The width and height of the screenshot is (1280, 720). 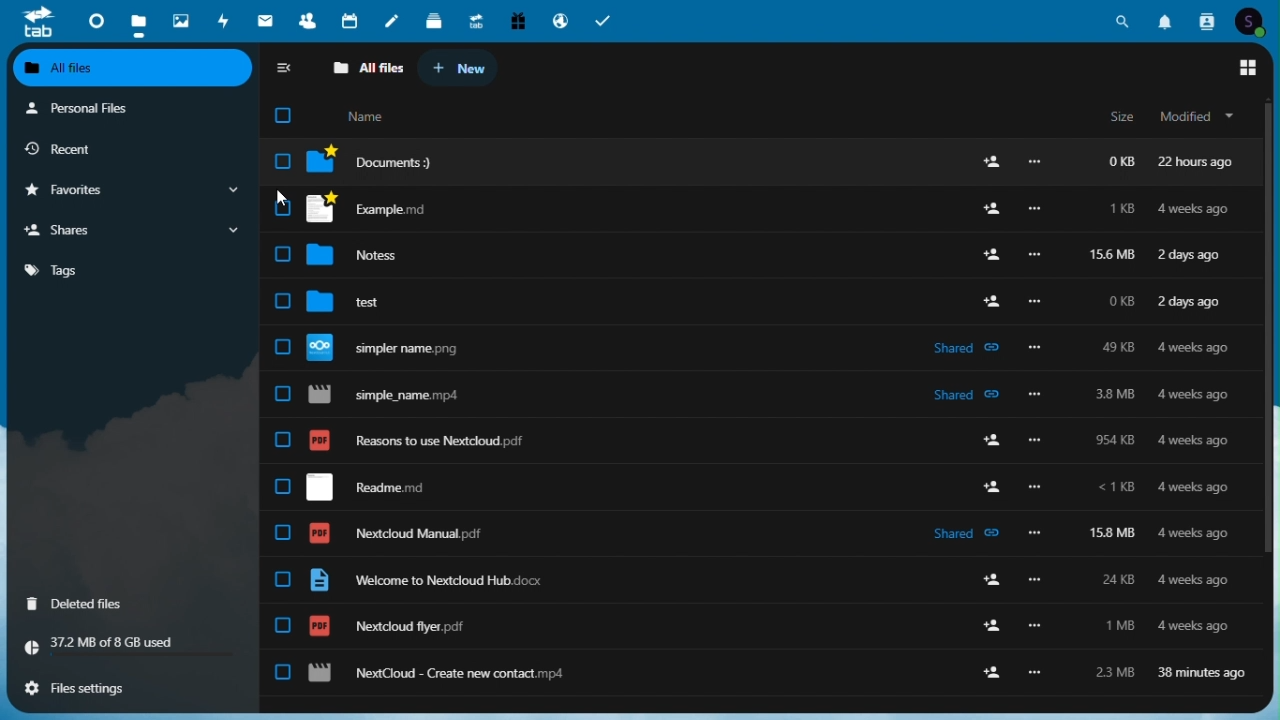 I want to click on readme.md, so click(x=385, y=488).